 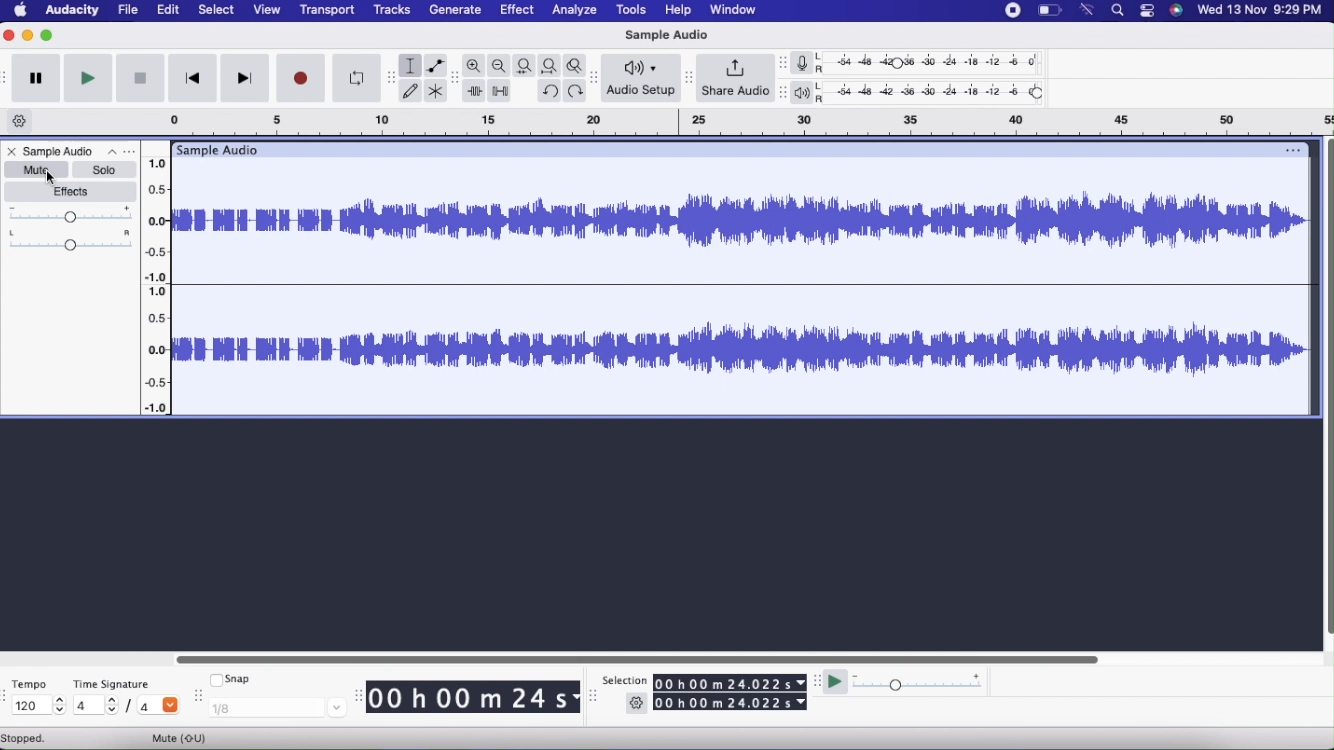 What do you see at coordinates (550, 65) in the screenshot?
I see `Fit project to width` at bounding box center [550, 65].